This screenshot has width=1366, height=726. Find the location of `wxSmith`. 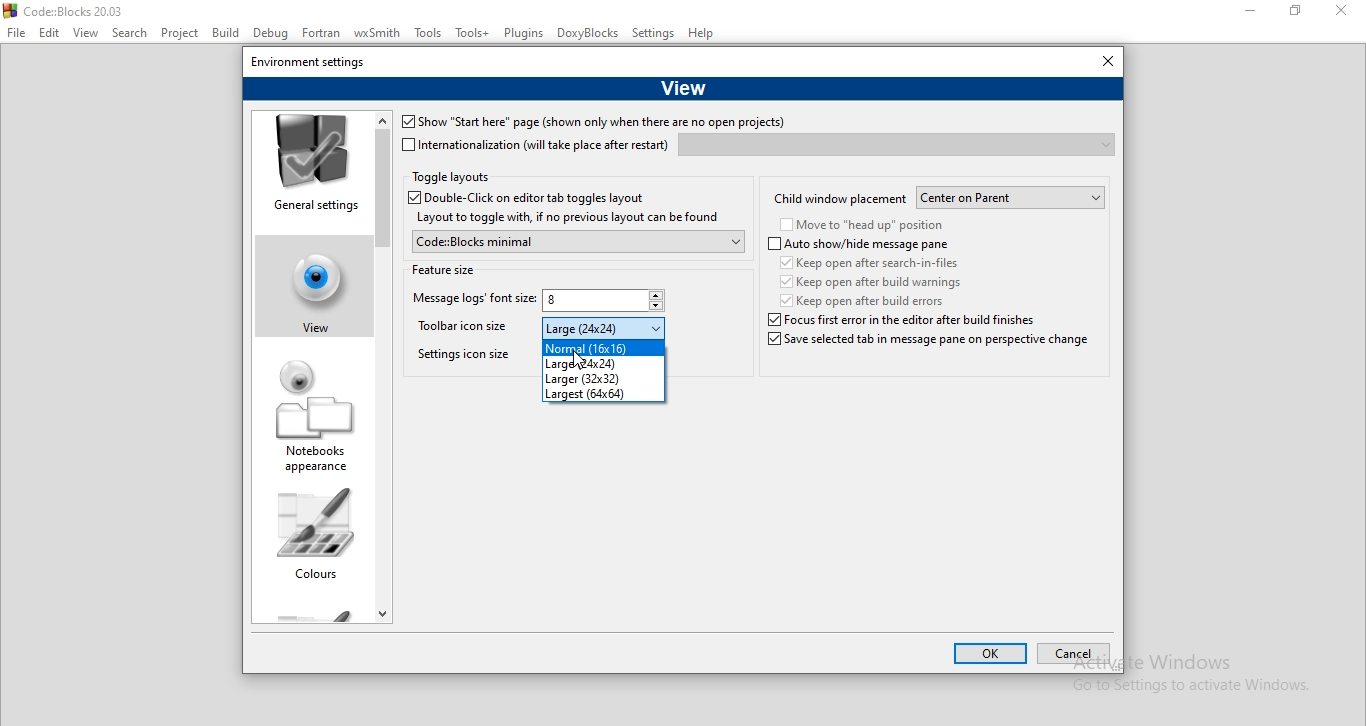

wxSmith is located at coordinates (380, 34).